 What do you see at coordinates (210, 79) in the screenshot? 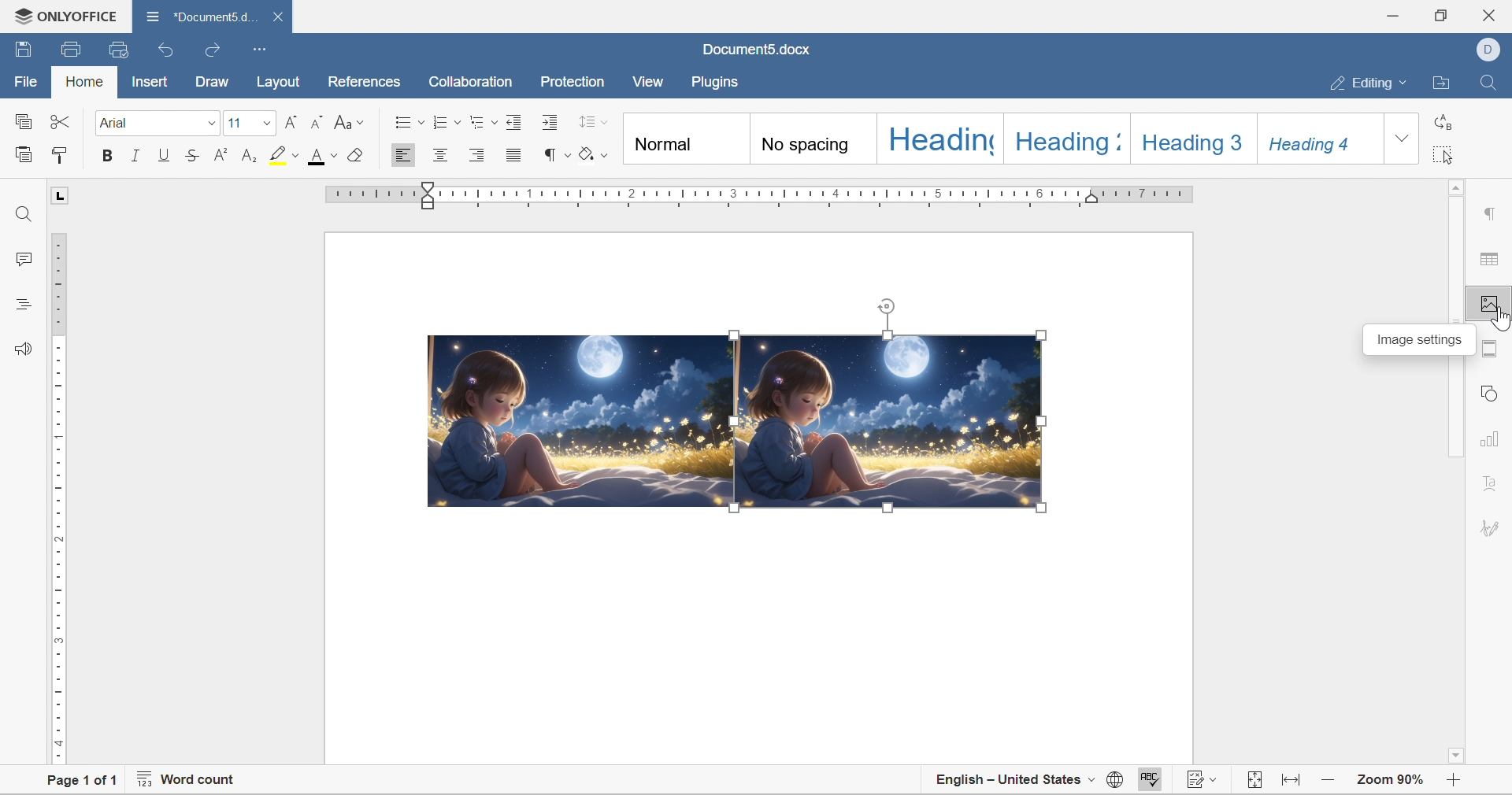
I see `draw` at bounding box center [210, 79].